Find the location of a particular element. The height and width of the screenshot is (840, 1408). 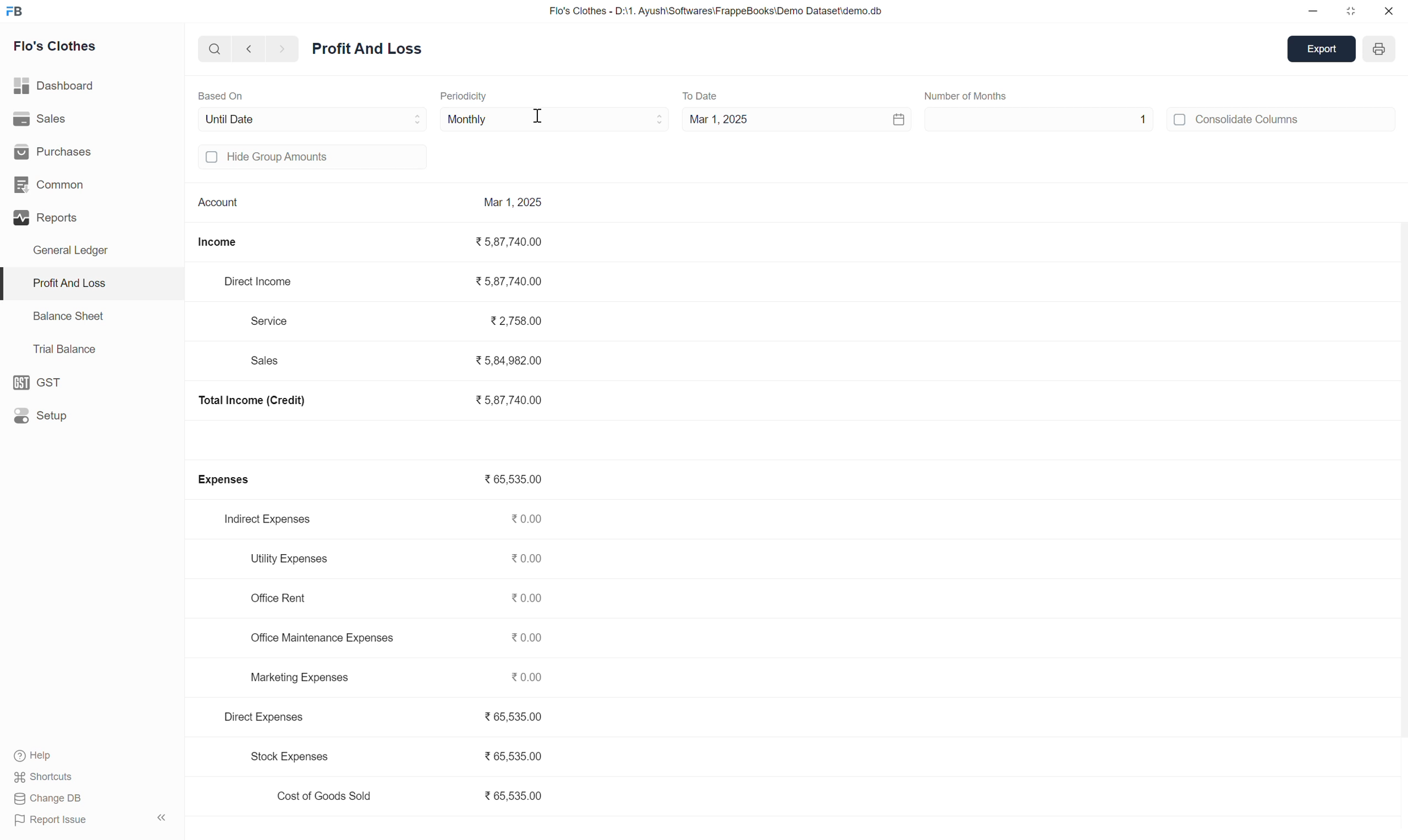

Common is located at coordinates (56, 186).